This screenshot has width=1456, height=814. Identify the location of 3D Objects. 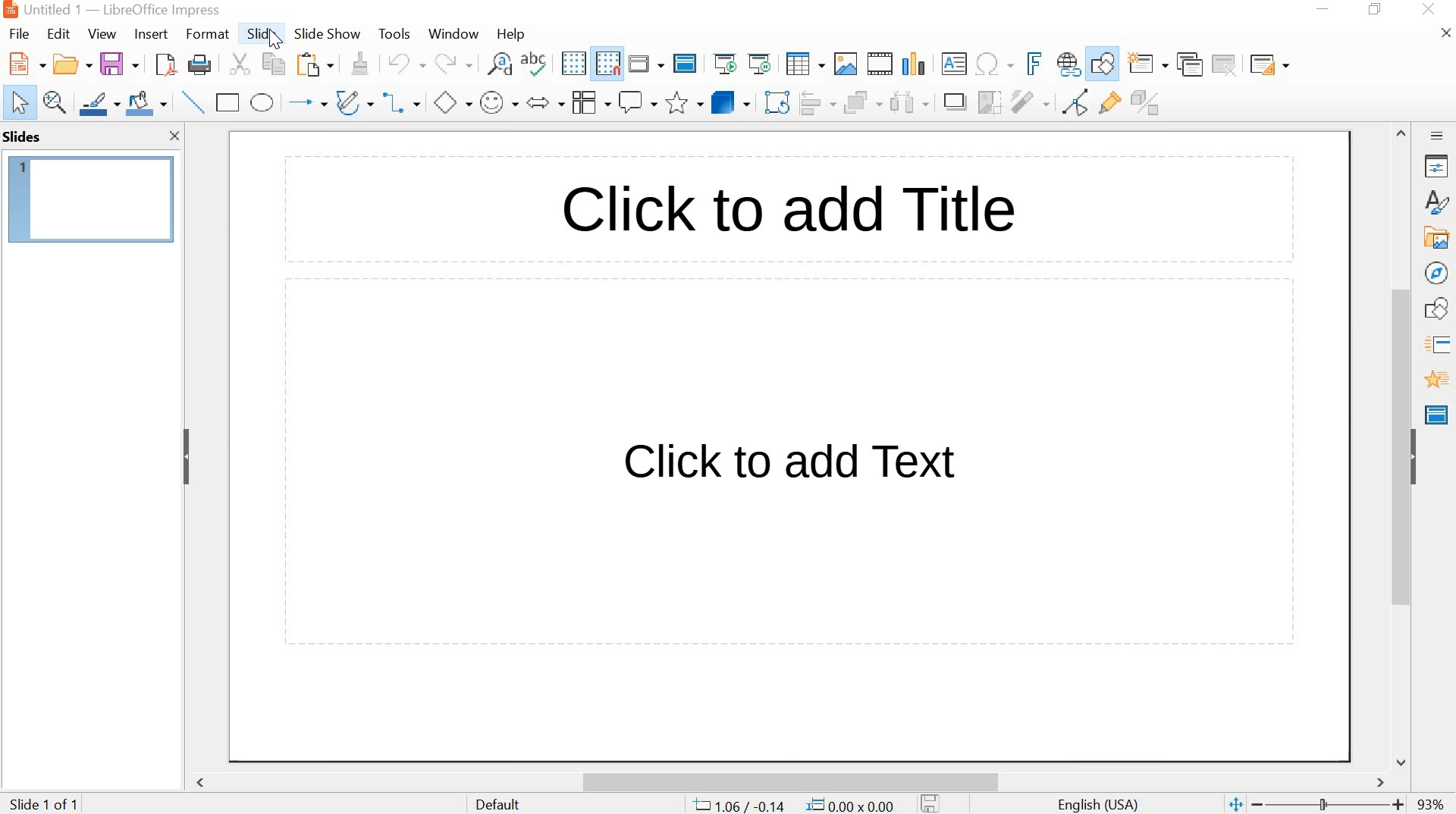
(733, 102).